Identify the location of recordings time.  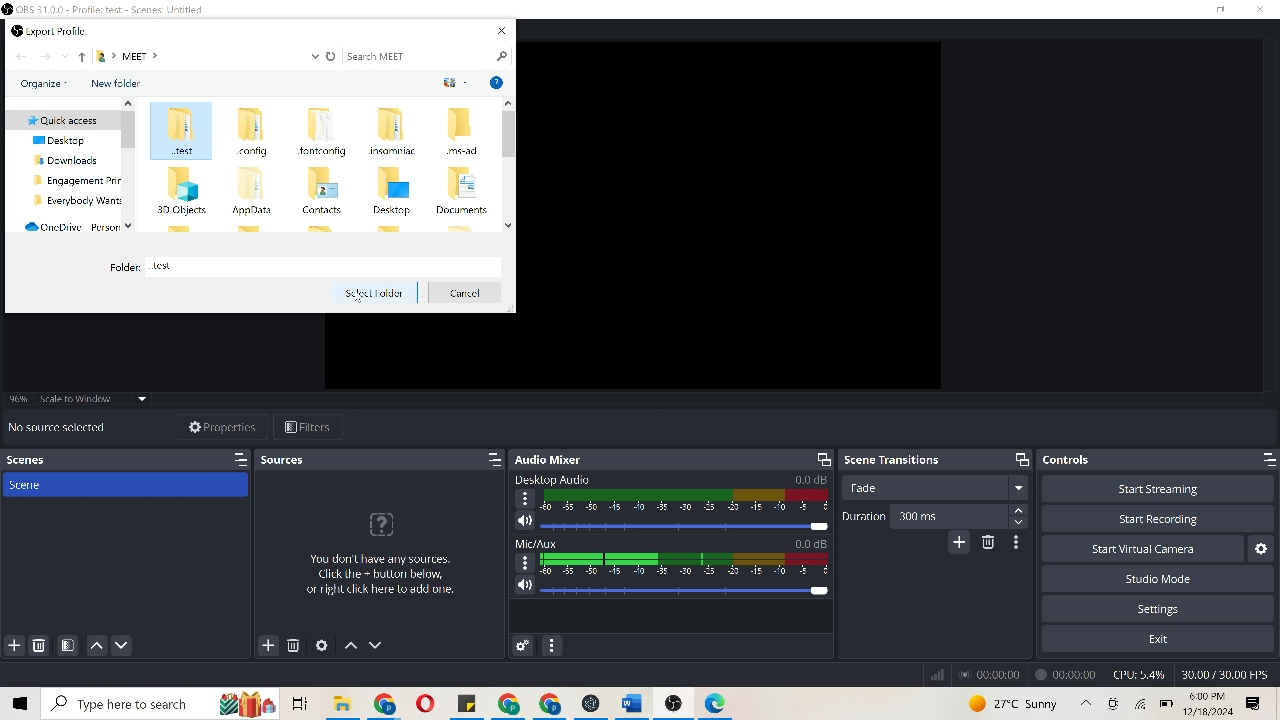
(1031, 673).